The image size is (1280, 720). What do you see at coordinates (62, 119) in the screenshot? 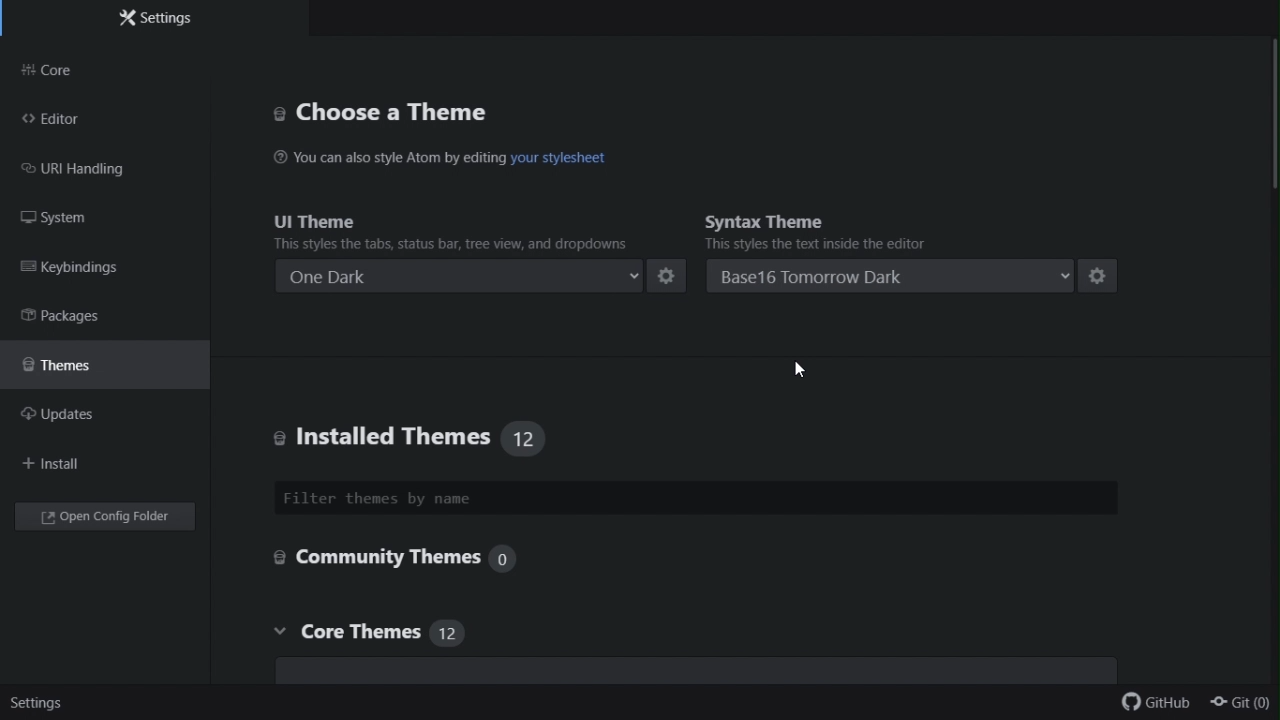
I see `editor` at bounding box center [62, 119].